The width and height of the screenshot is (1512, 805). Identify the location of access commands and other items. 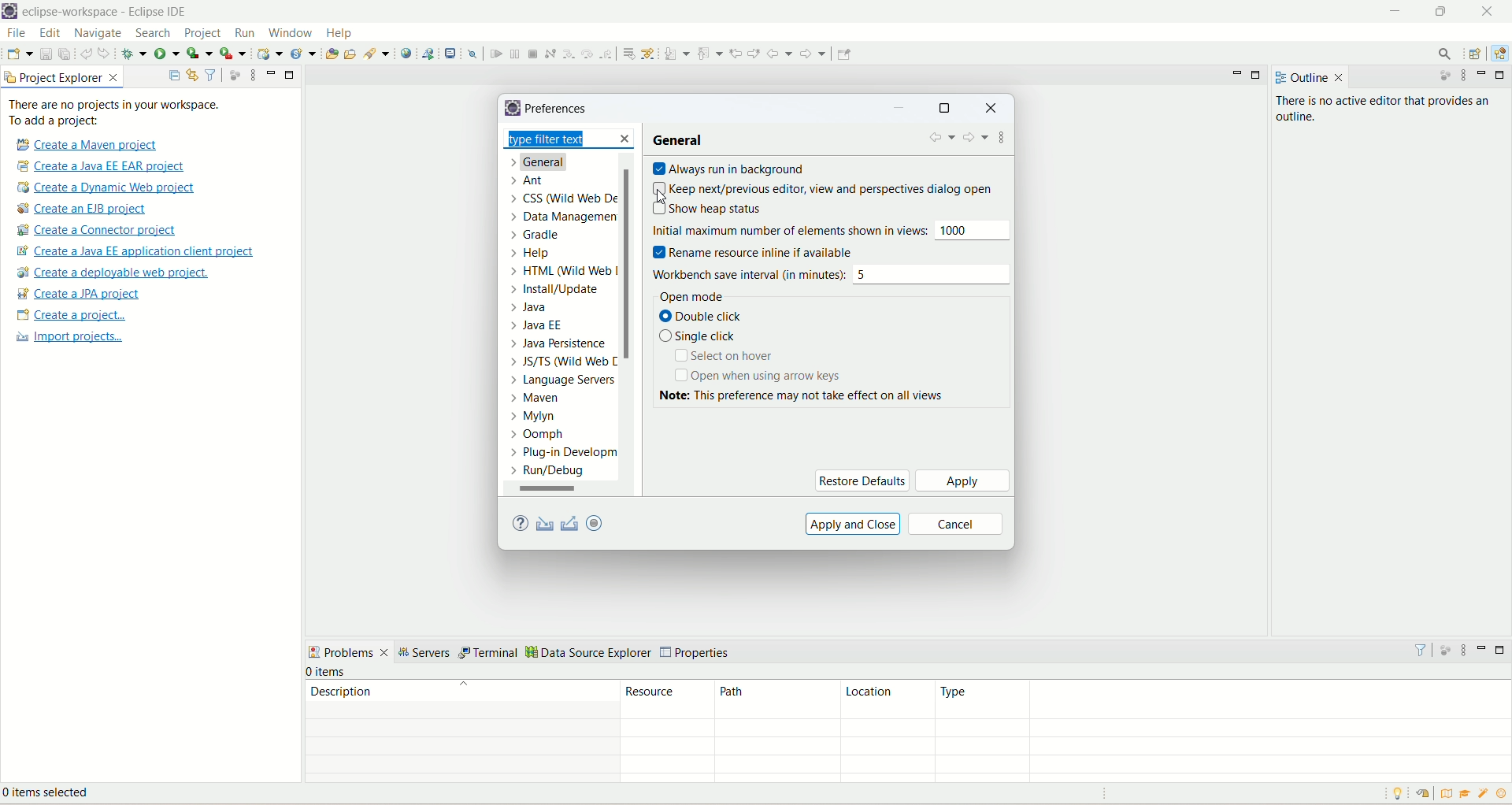
(1443, 54).